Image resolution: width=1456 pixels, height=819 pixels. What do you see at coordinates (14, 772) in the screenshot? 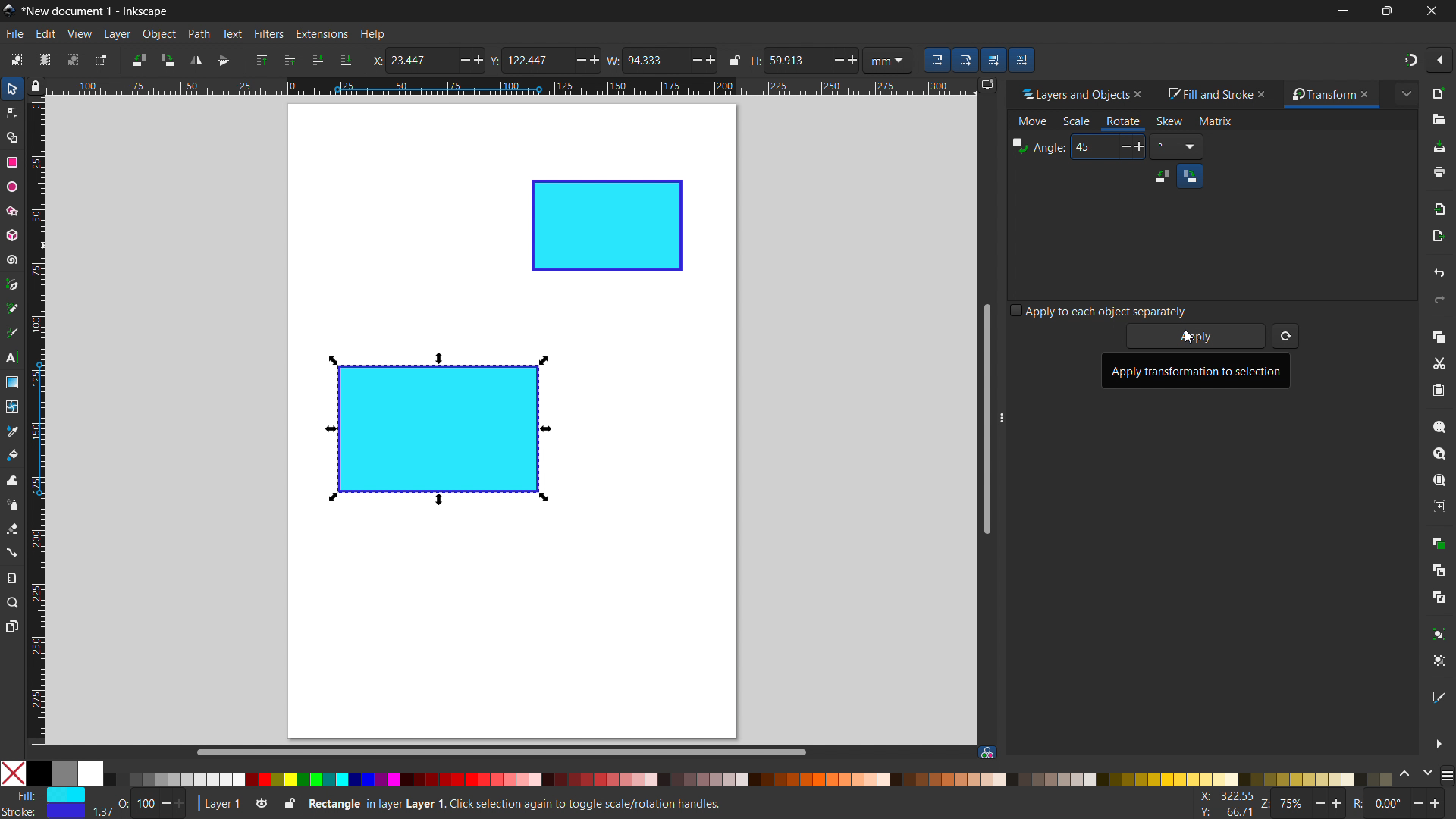
I see `No color` at bounding box center [14, 772].